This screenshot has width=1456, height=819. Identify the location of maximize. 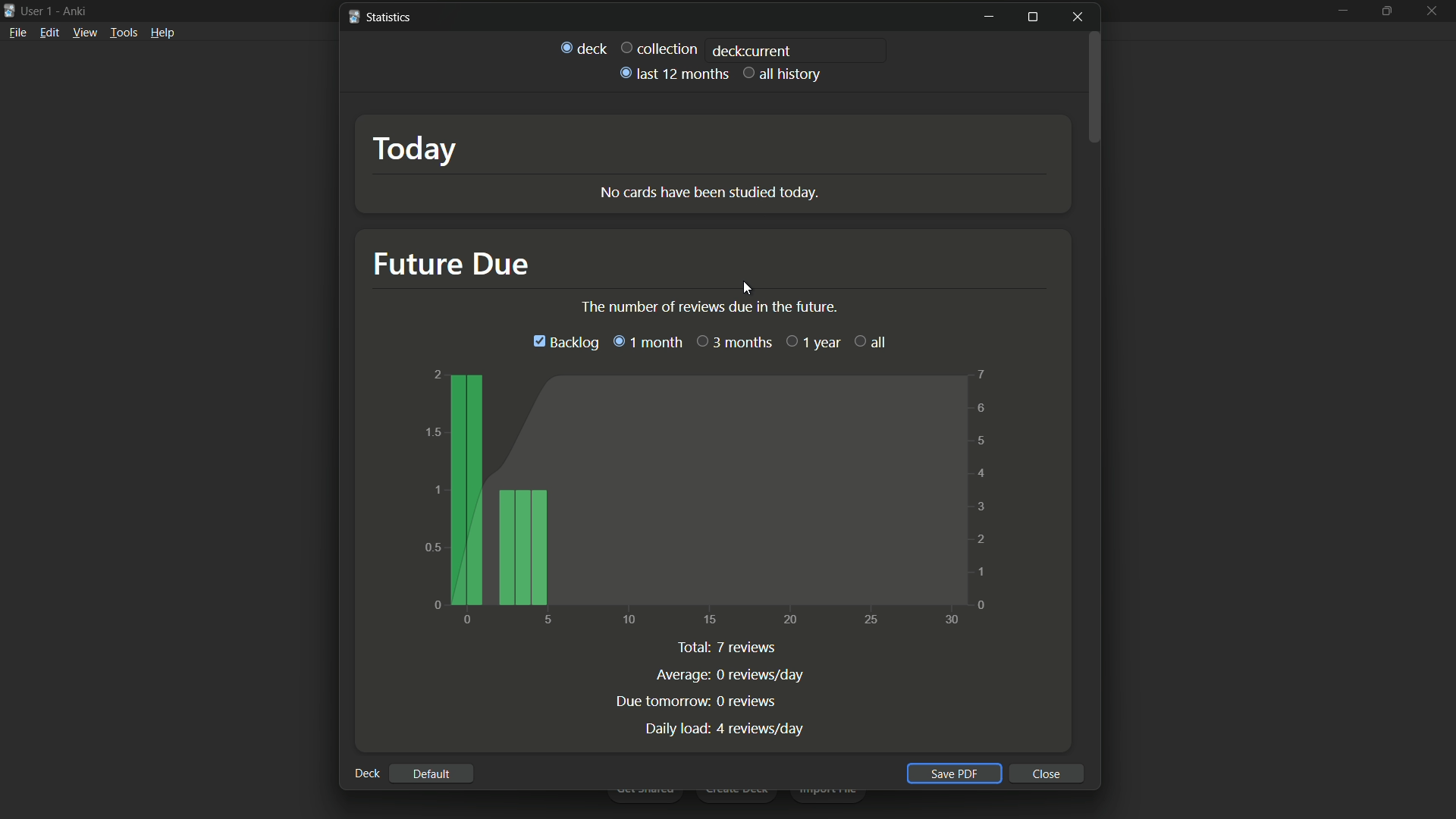
(1386, 11).